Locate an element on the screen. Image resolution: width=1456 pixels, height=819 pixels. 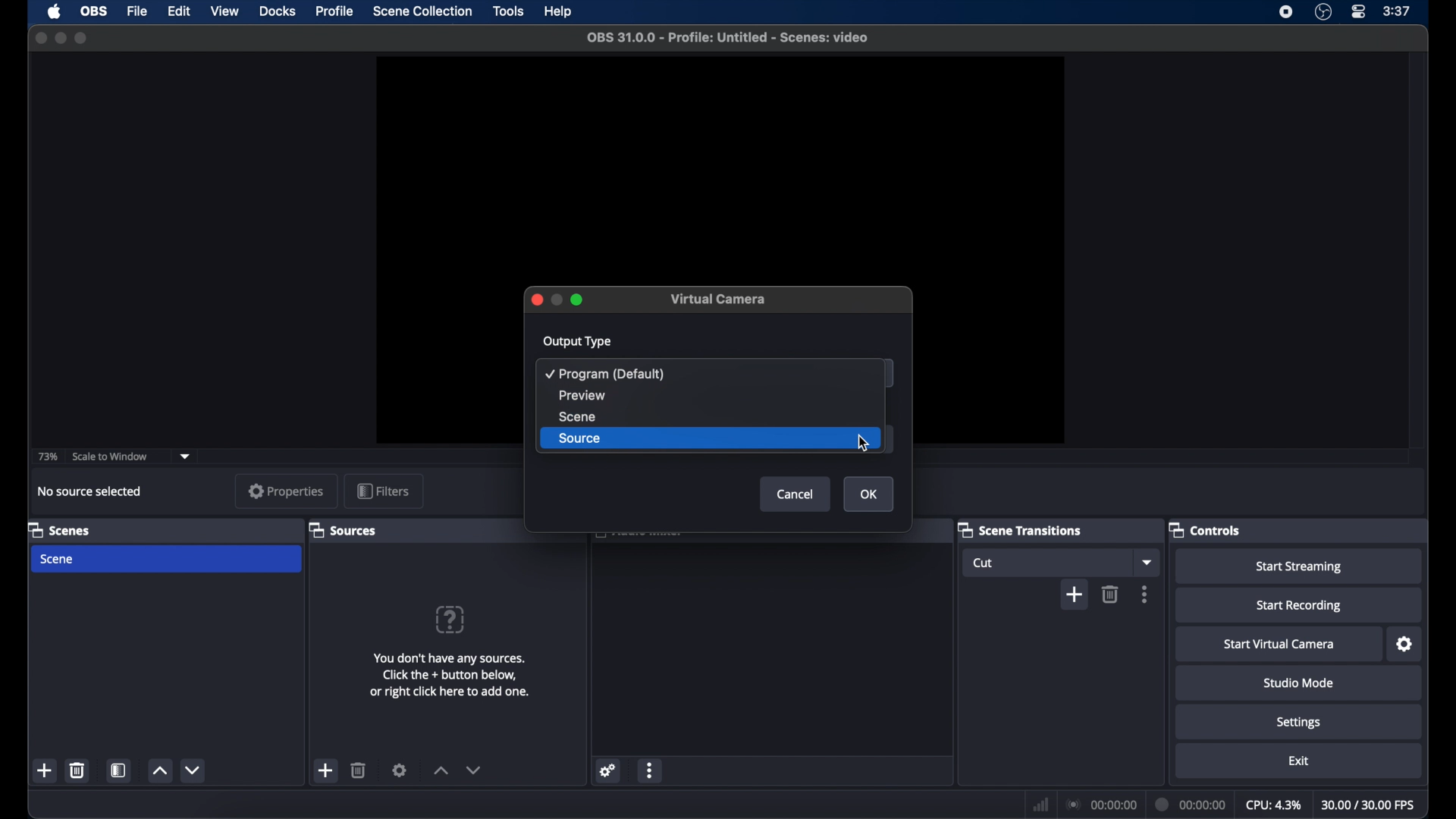
filters is located at coordinates (382, 490).